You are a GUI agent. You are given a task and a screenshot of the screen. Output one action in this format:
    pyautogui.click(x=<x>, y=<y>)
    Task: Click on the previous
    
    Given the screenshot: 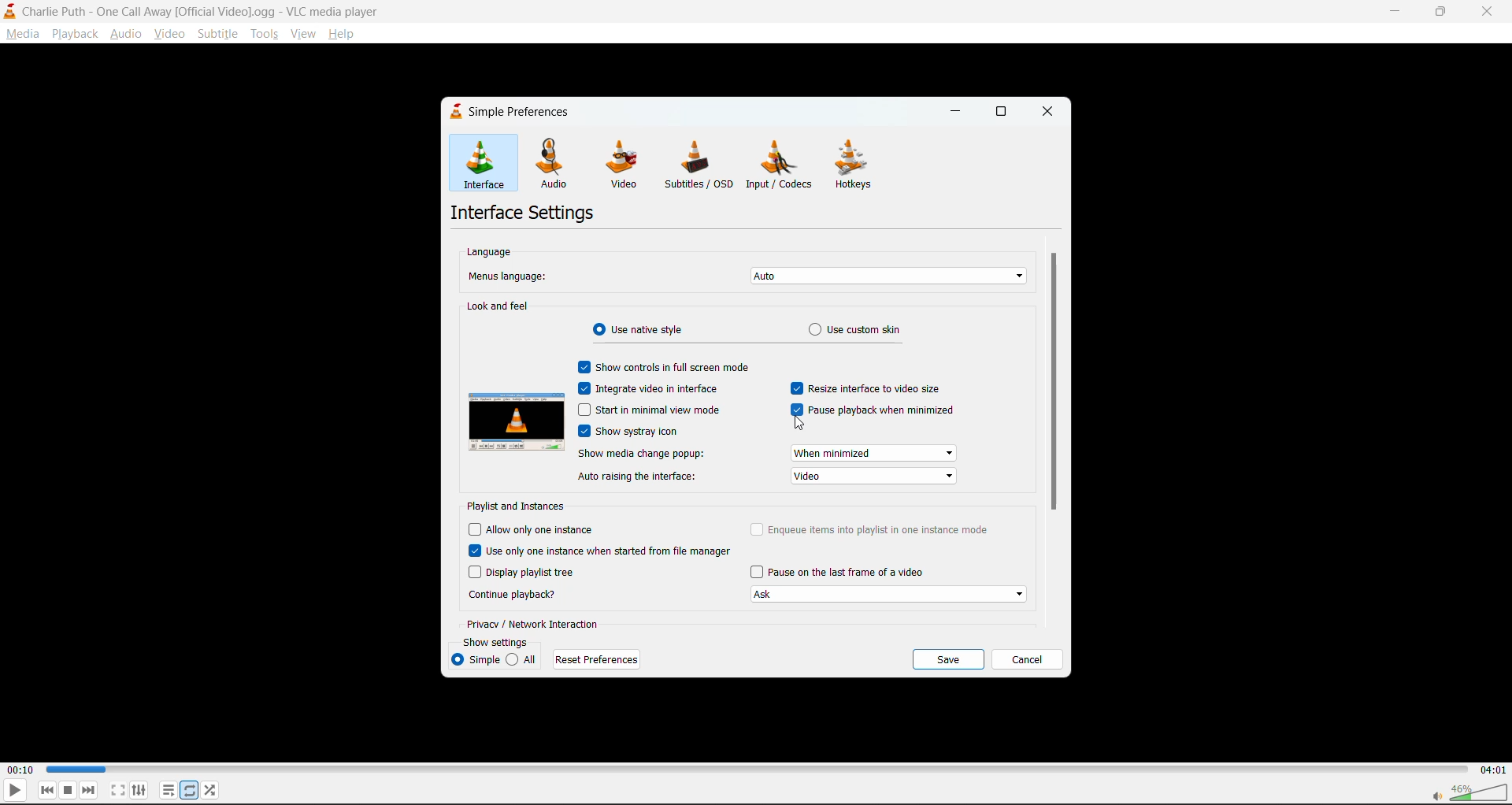 What is the action you would take?
    pyautogui.click(x=46, y=791)
    